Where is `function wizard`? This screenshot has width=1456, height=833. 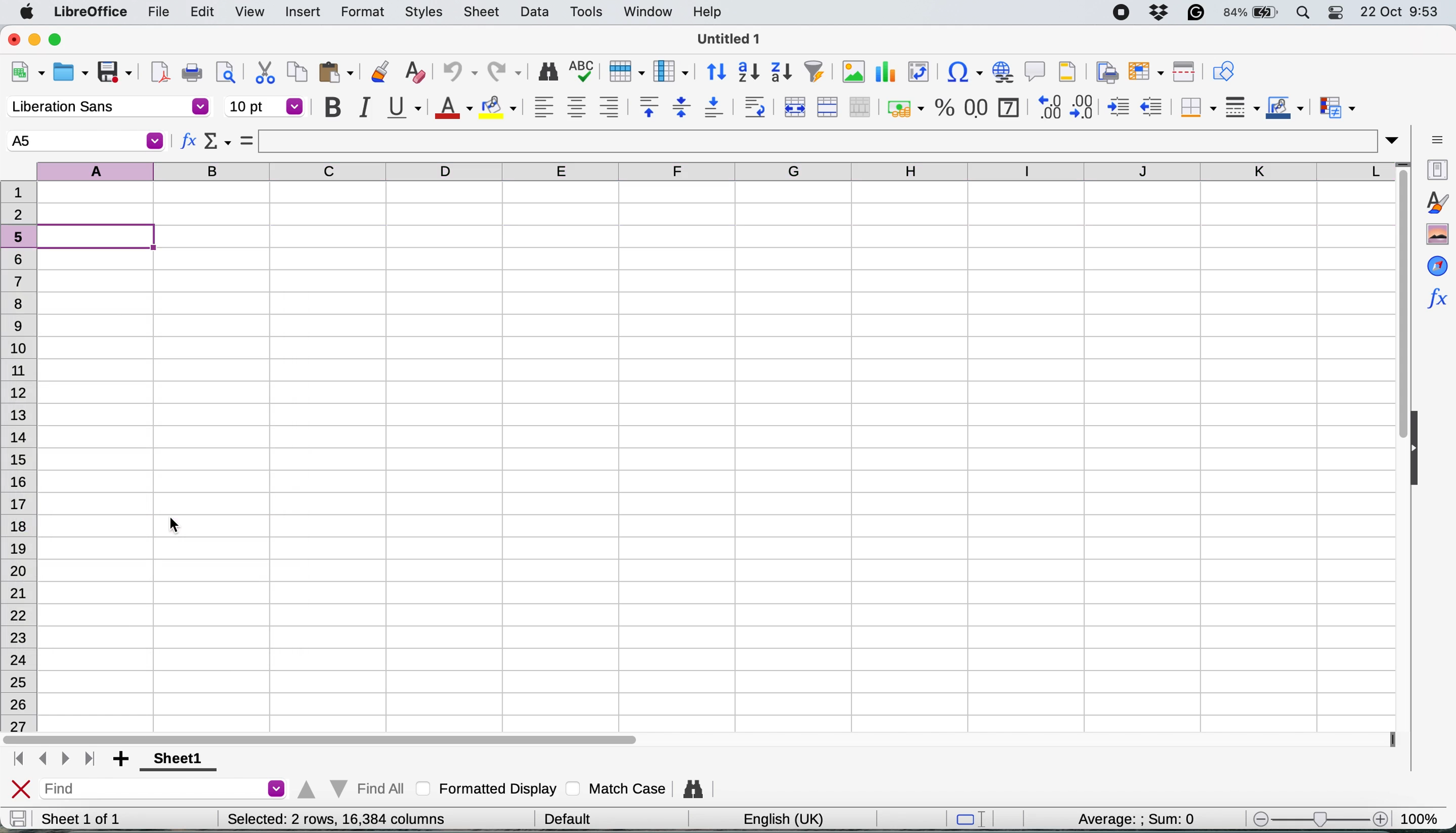 function wizard is located at coordinates (189, 143).